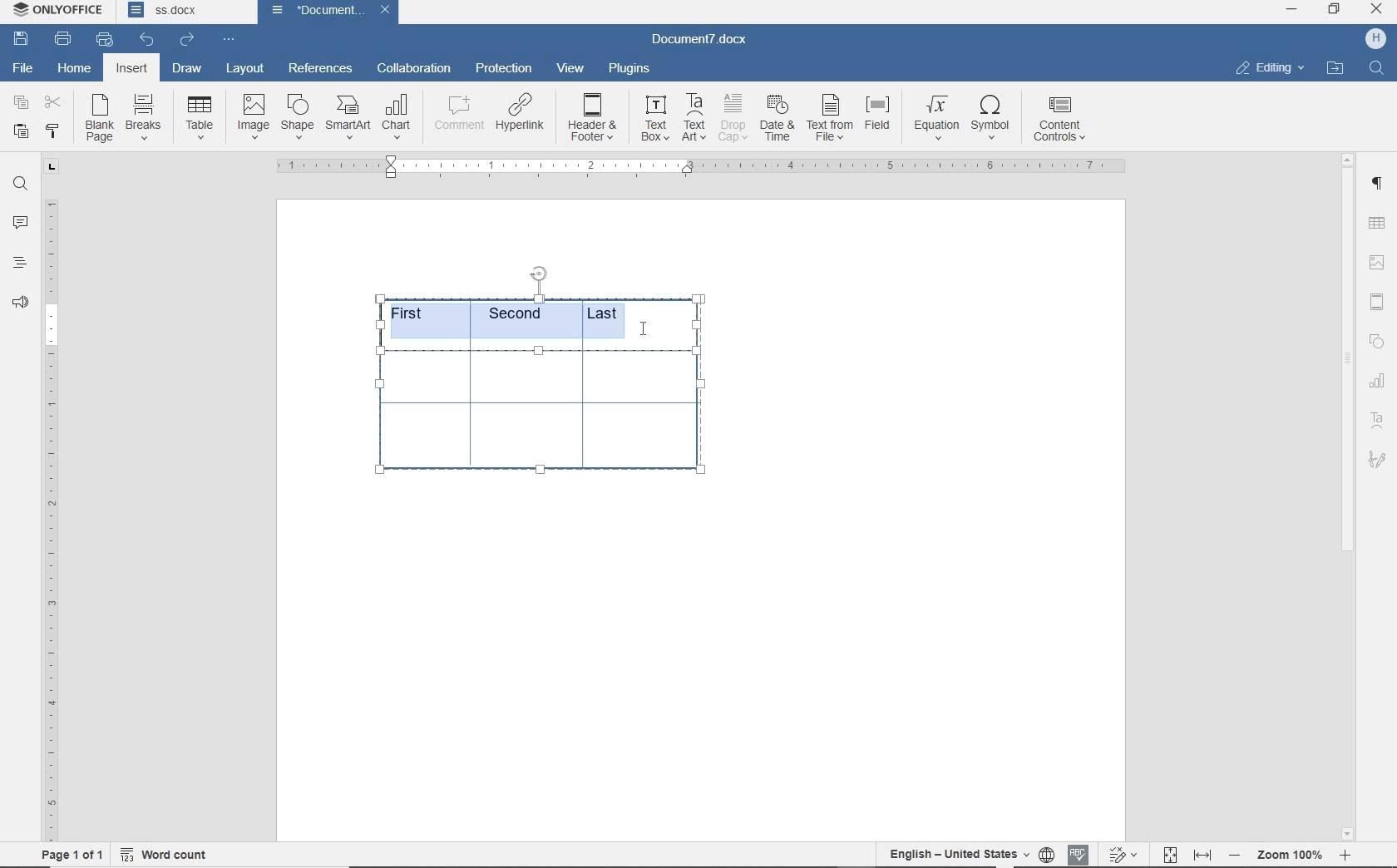 The width and height of the screenshot is (1397, 868). Describe the element at coordinates (313, 10) in the screenshot. I see `document` at that location.